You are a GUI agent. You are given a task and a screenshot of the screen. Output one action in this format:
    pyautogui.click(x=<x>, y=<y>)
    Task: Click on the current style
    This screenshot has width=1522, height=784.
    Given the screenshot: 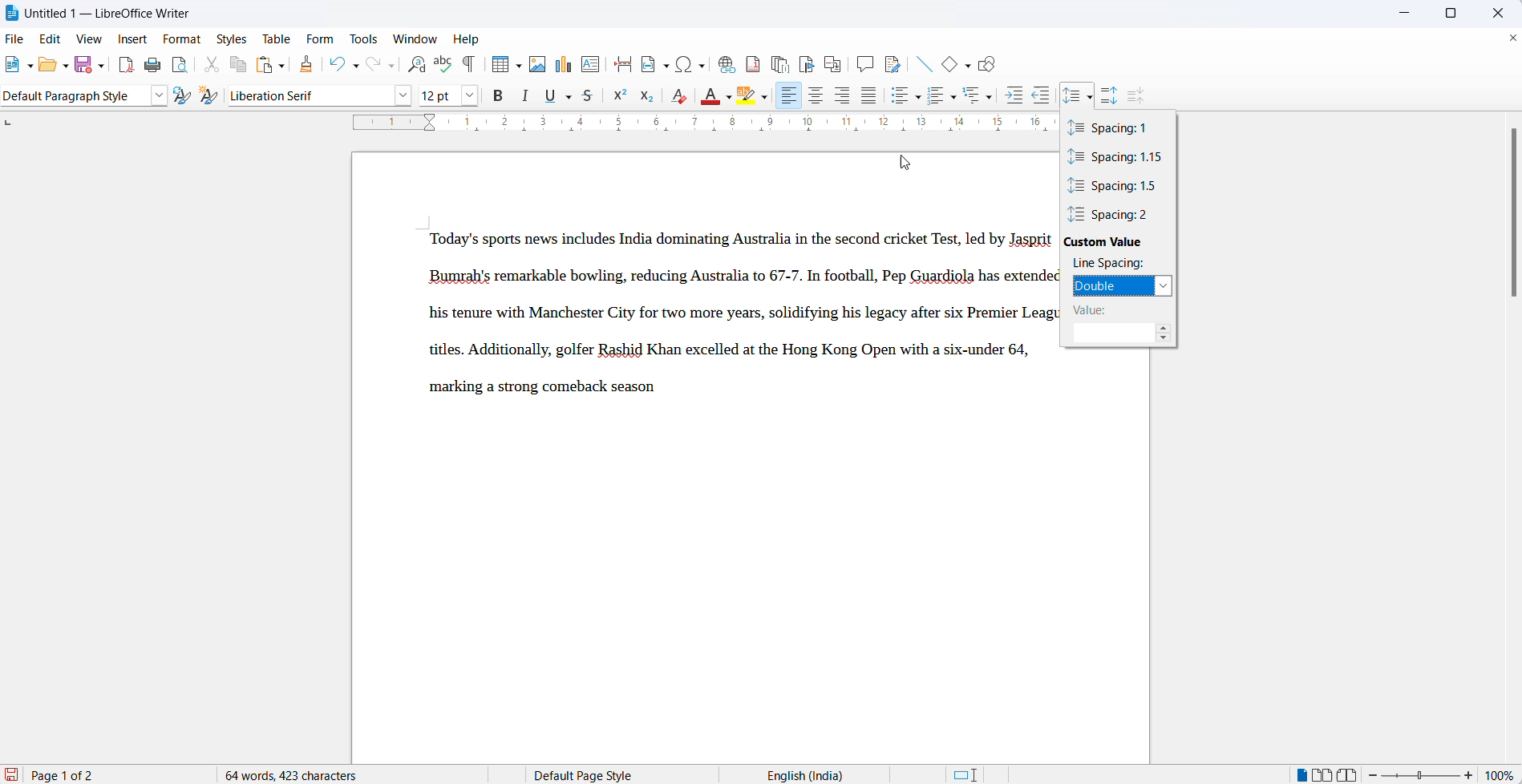 What is the action you would take?
    pyautogui.click(x=73, y=97)
    